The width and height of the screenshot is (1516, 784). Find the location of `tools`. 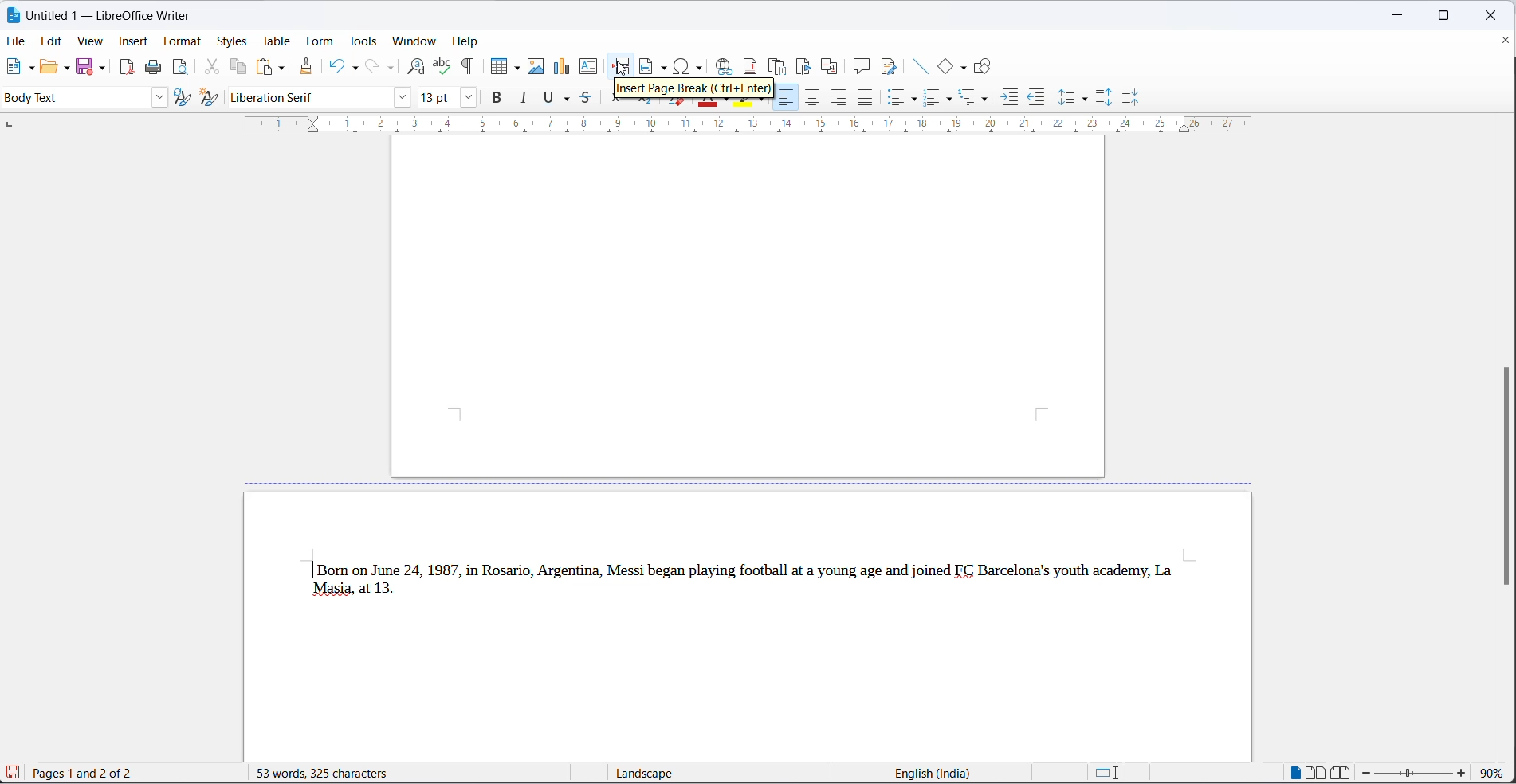

tools is located at coordinates (363, 42).